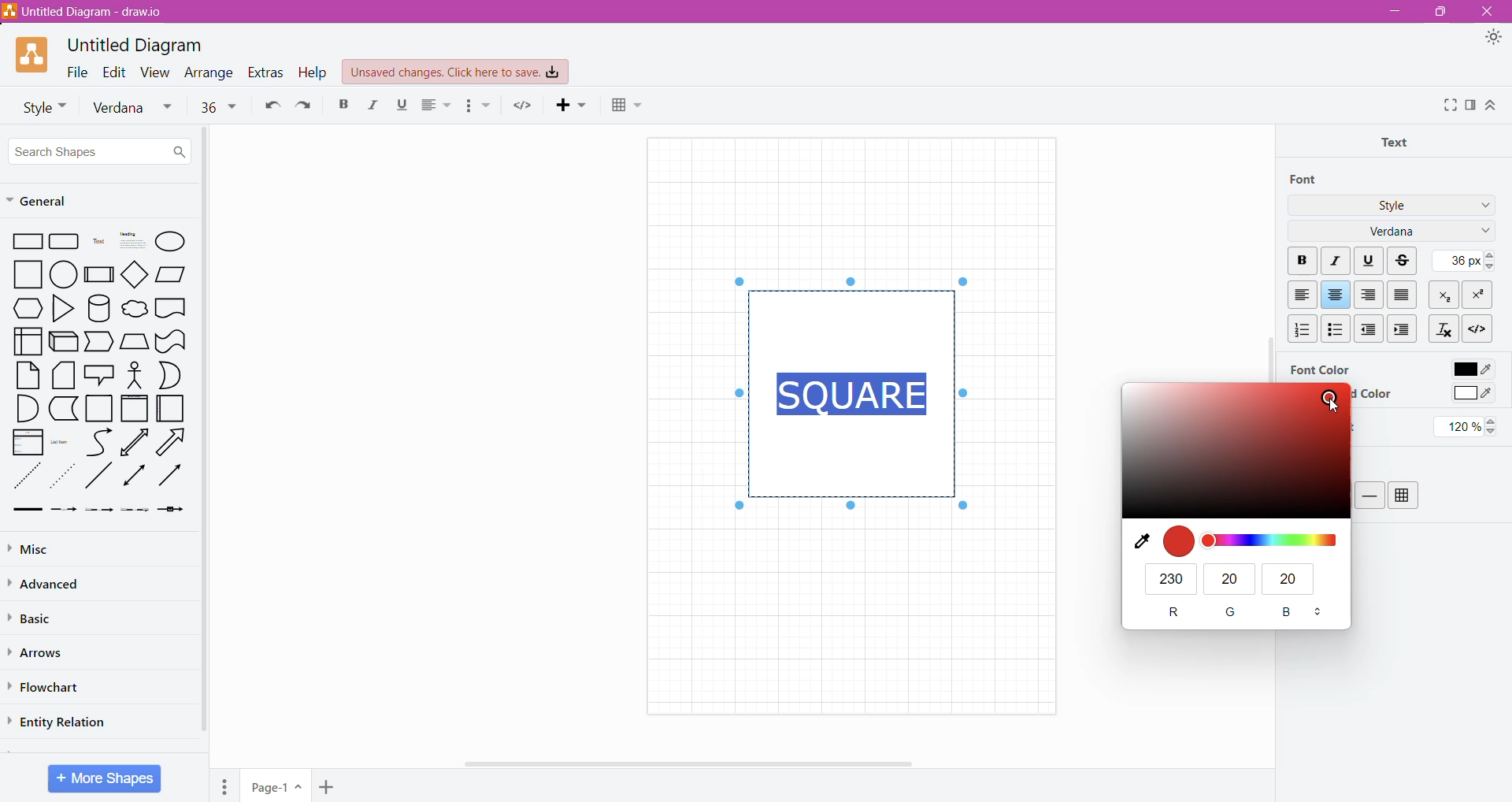  I want to click on Upward line, so click(134, 442).